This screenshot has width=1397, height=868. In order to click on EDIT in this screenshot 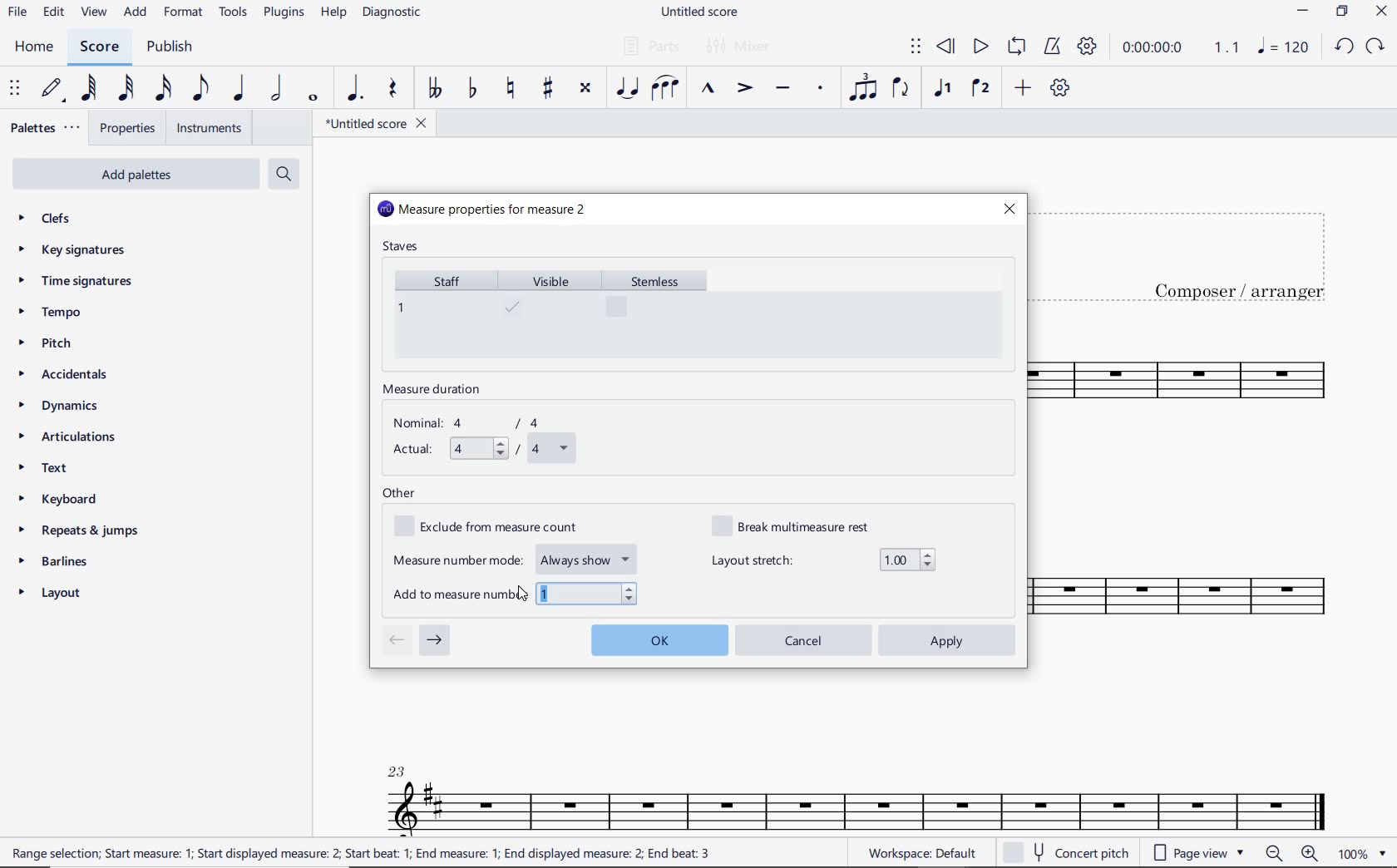, I will do `click(53, 14)`.